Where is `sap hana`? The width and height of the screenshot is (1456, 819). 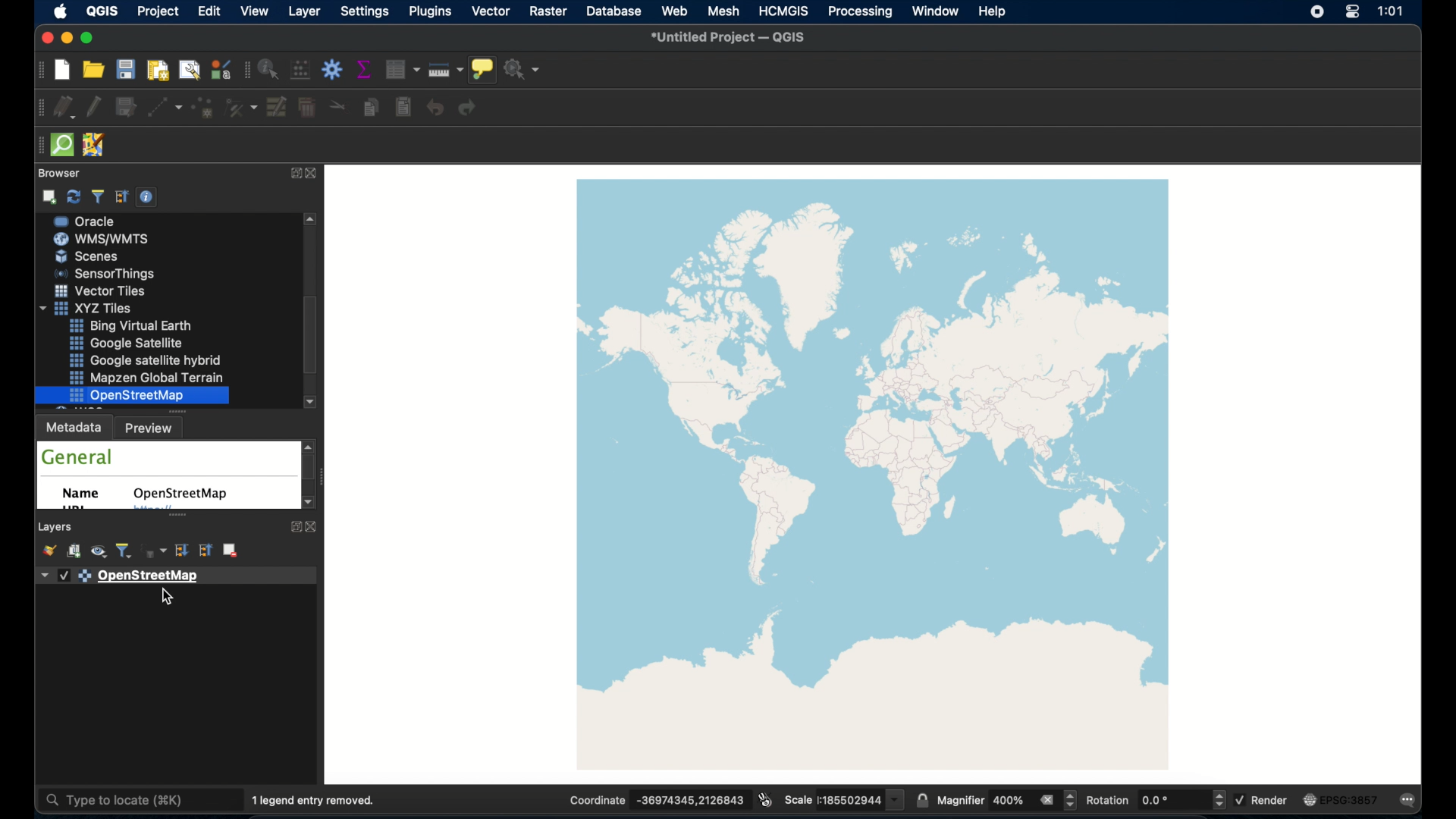 sap hana is located at coordinates (106, 238).